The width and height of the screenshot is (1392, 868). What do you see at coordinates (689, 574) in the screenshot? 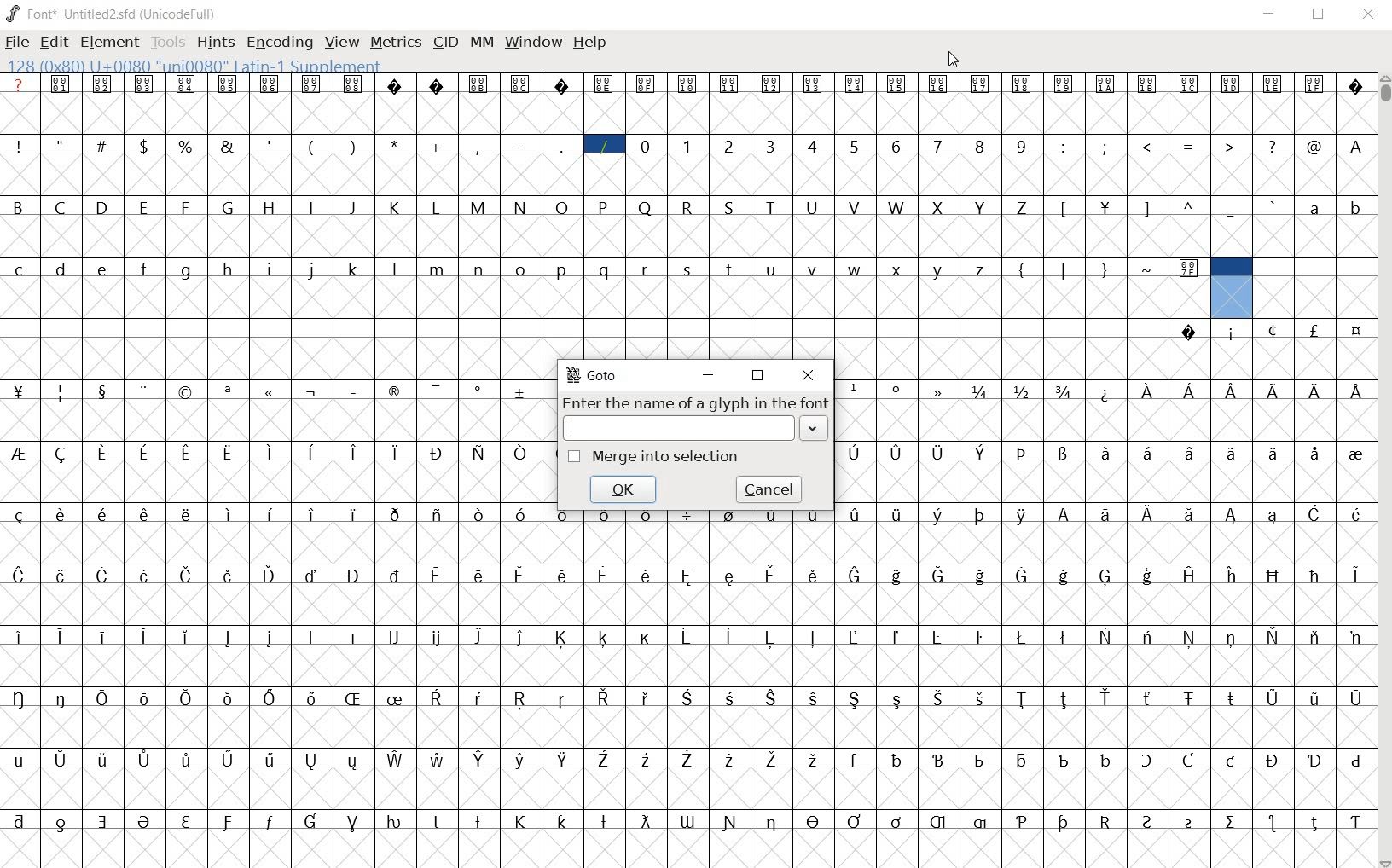
I see `Symbol` at bounding box center [689, 574].